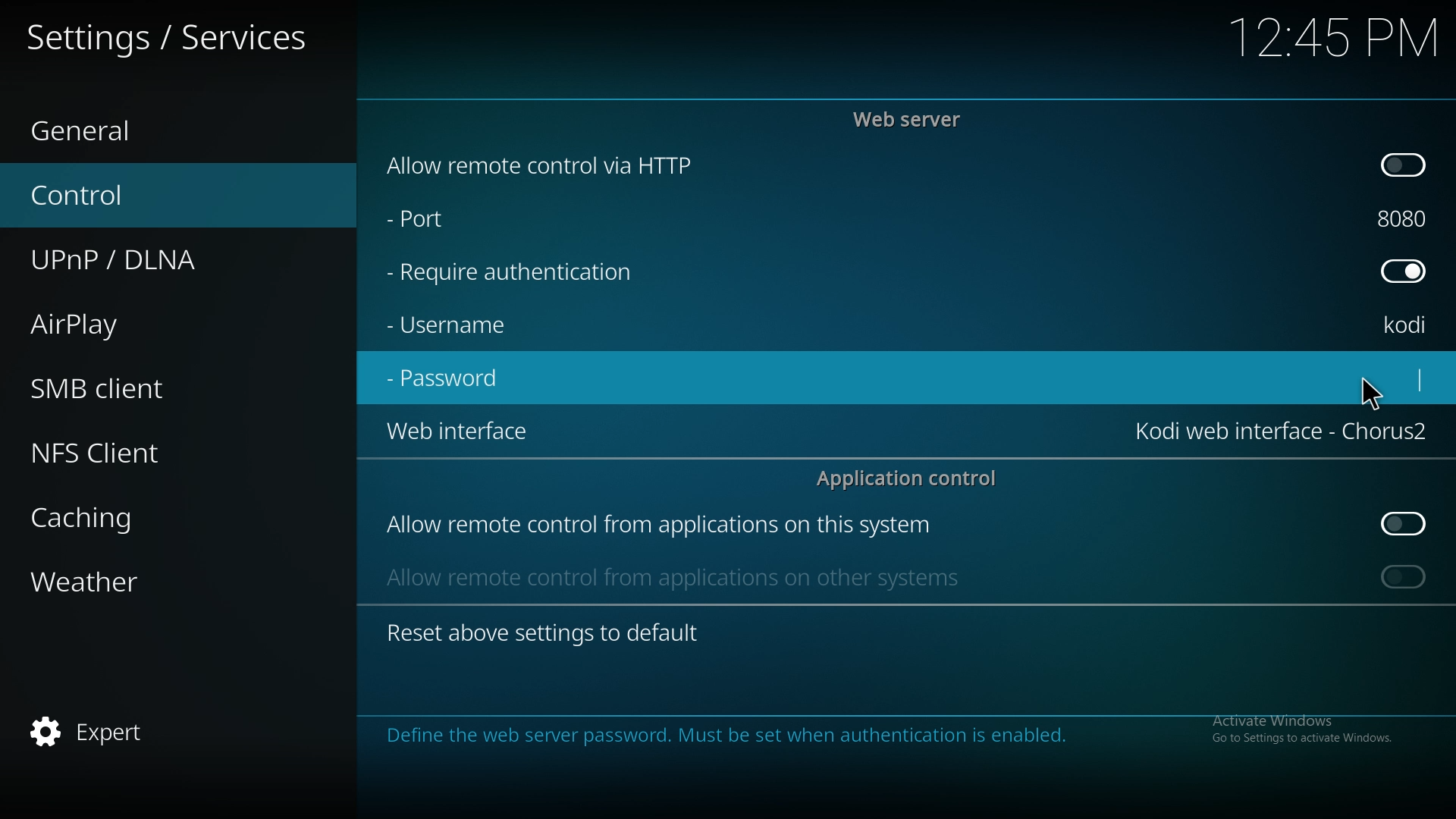 The image size is (1456, 819). I want to click on on, so click(1404, 163).